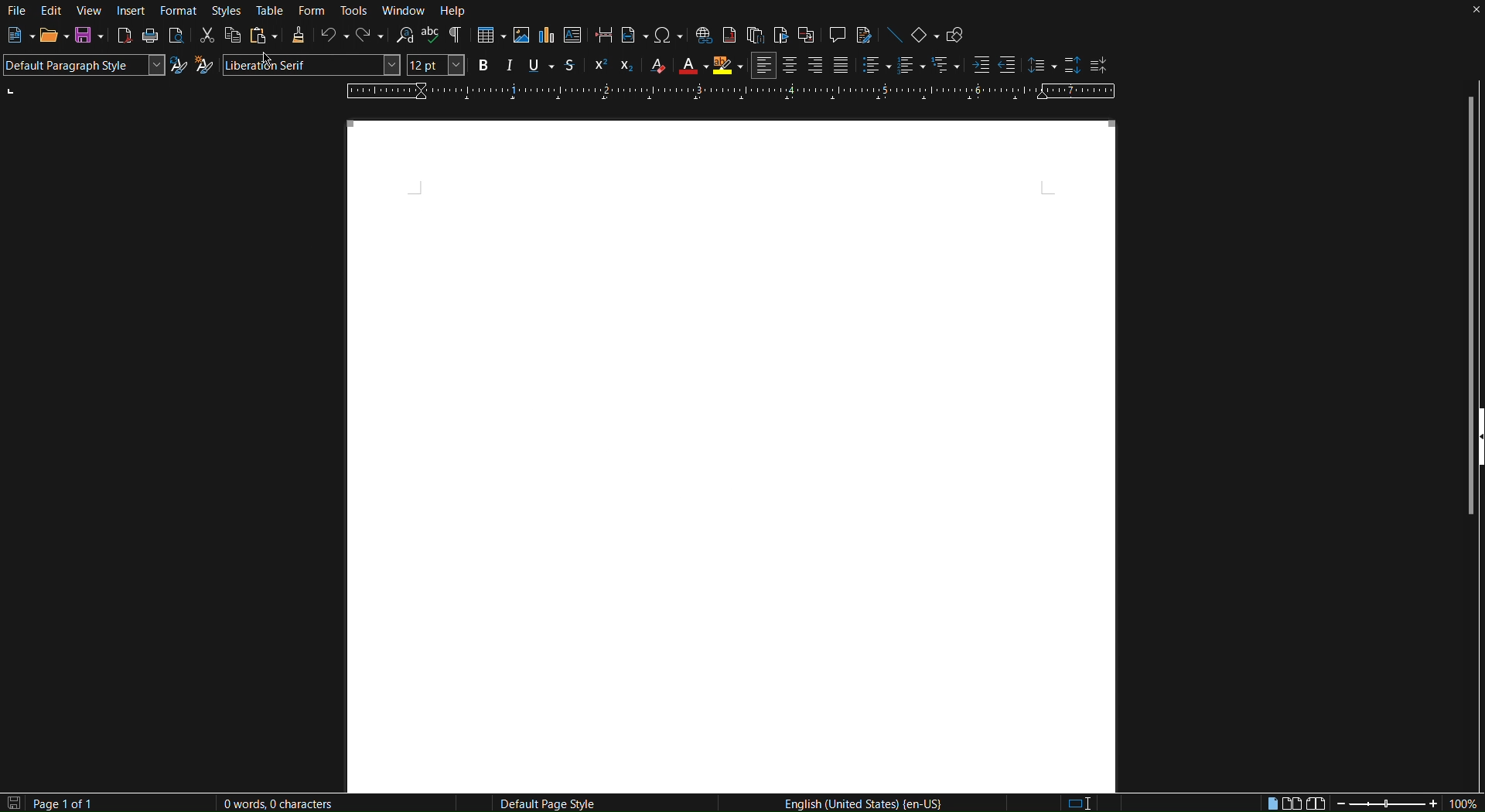  What do you see at coordinates (866, 803) in the screenshot?
I see `English (United States | en-US)` at bounding box center [866, 803].